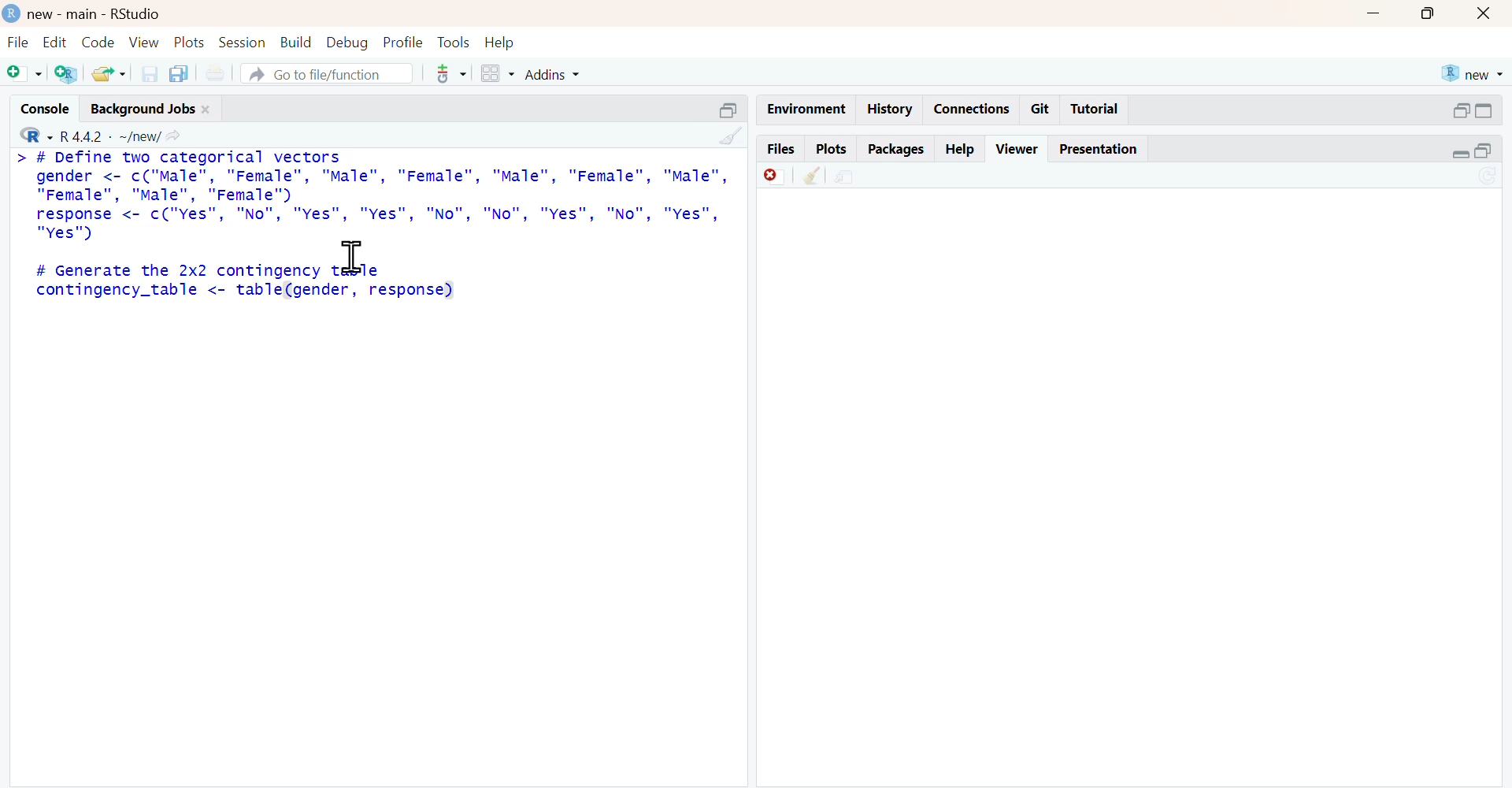  What do you see at coordinates (781, 147) in the screenshot?
I see `files` at bounding box center [781, 147].